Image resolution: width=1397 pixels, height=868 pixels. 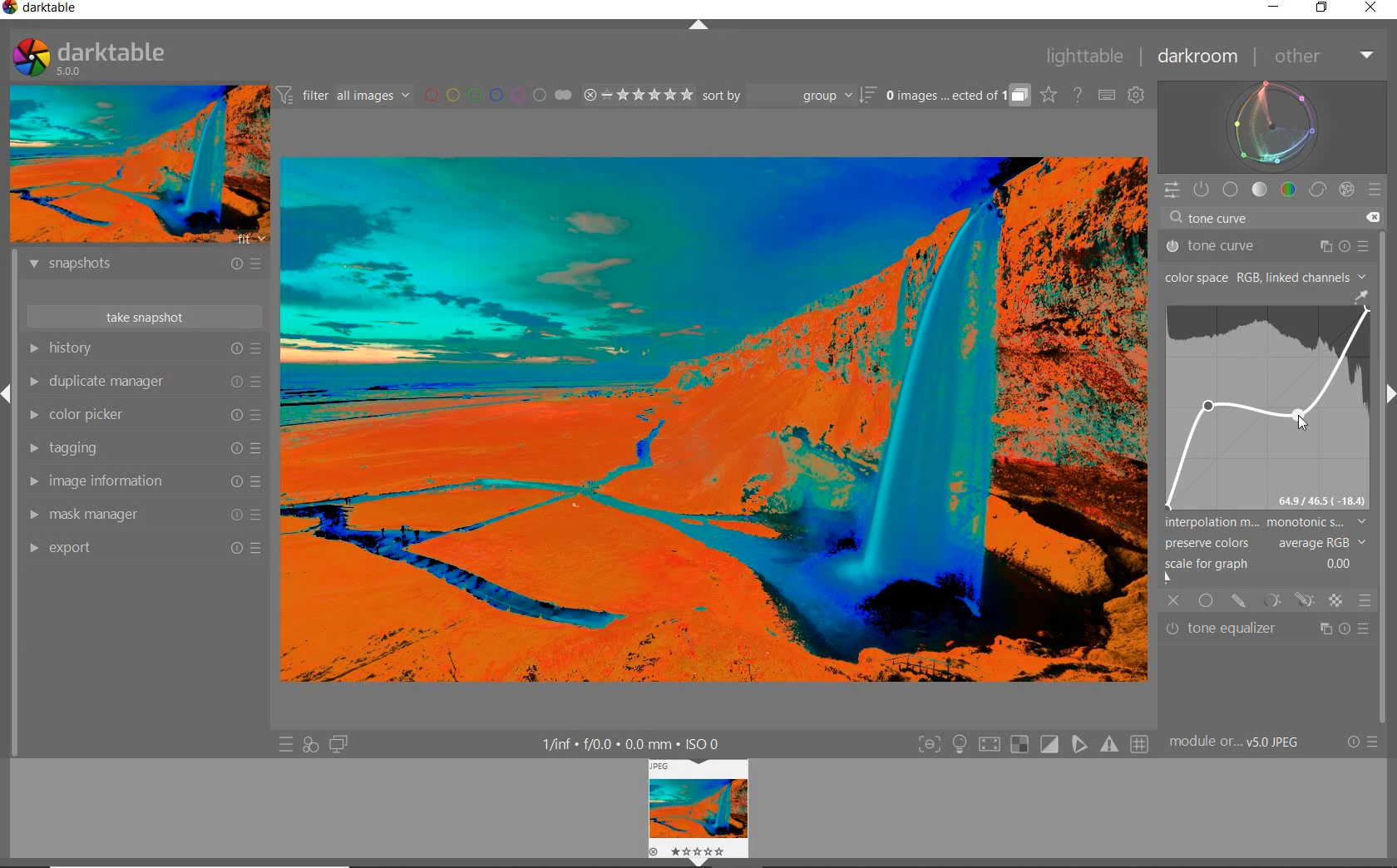 What do you see at coordinates (1202, 190) in the screenshot?
I see `SHOW ONLY ACTIVE MODULES` at bounding box center [1202, 190].